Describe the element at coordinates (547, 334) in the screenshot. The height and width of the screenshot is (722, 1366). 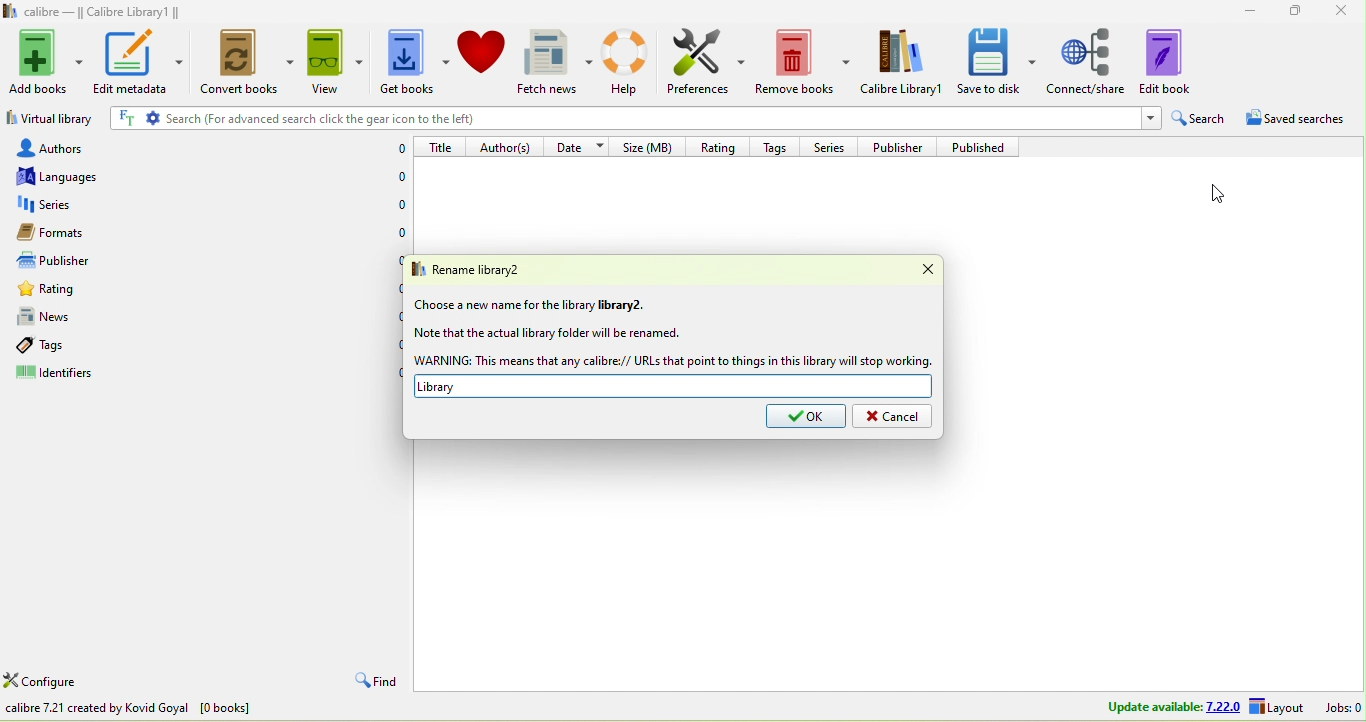
I see `note that the actual library folder will be renamed` at that location.